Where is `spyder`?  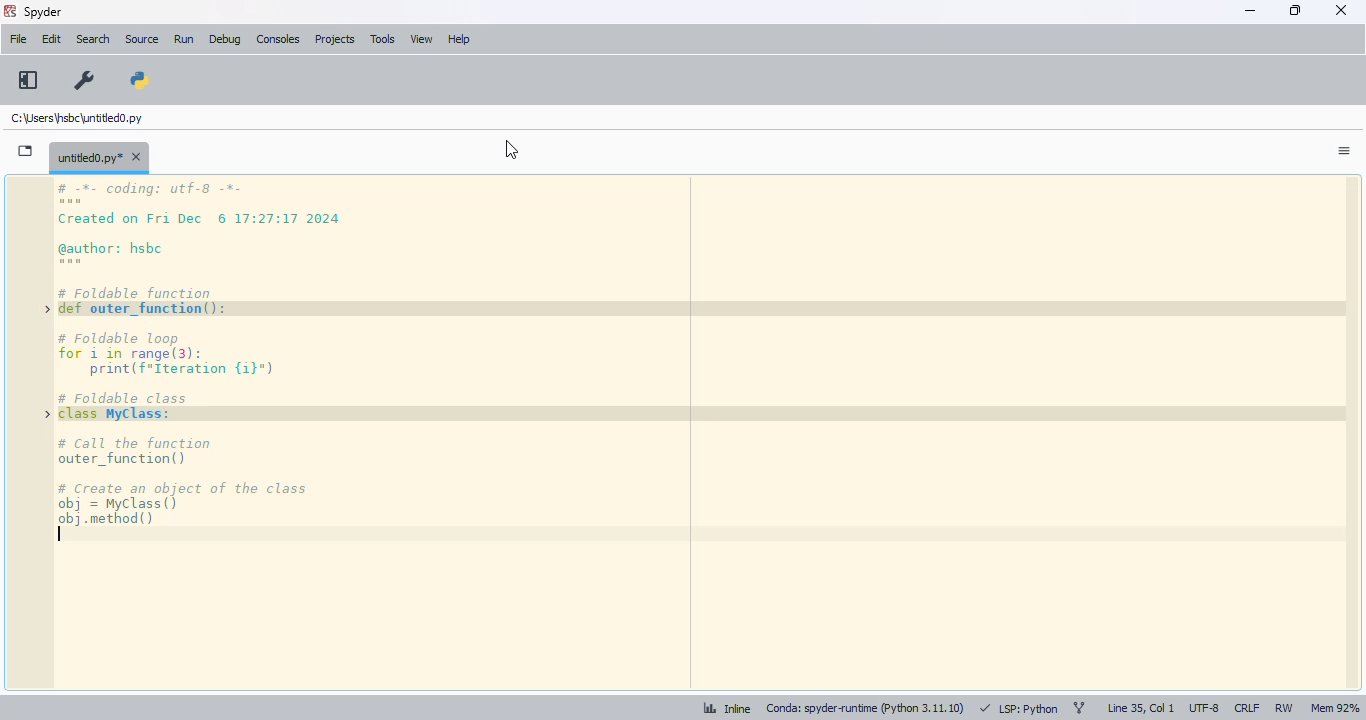
spyder is located at coordinates (44, 12).